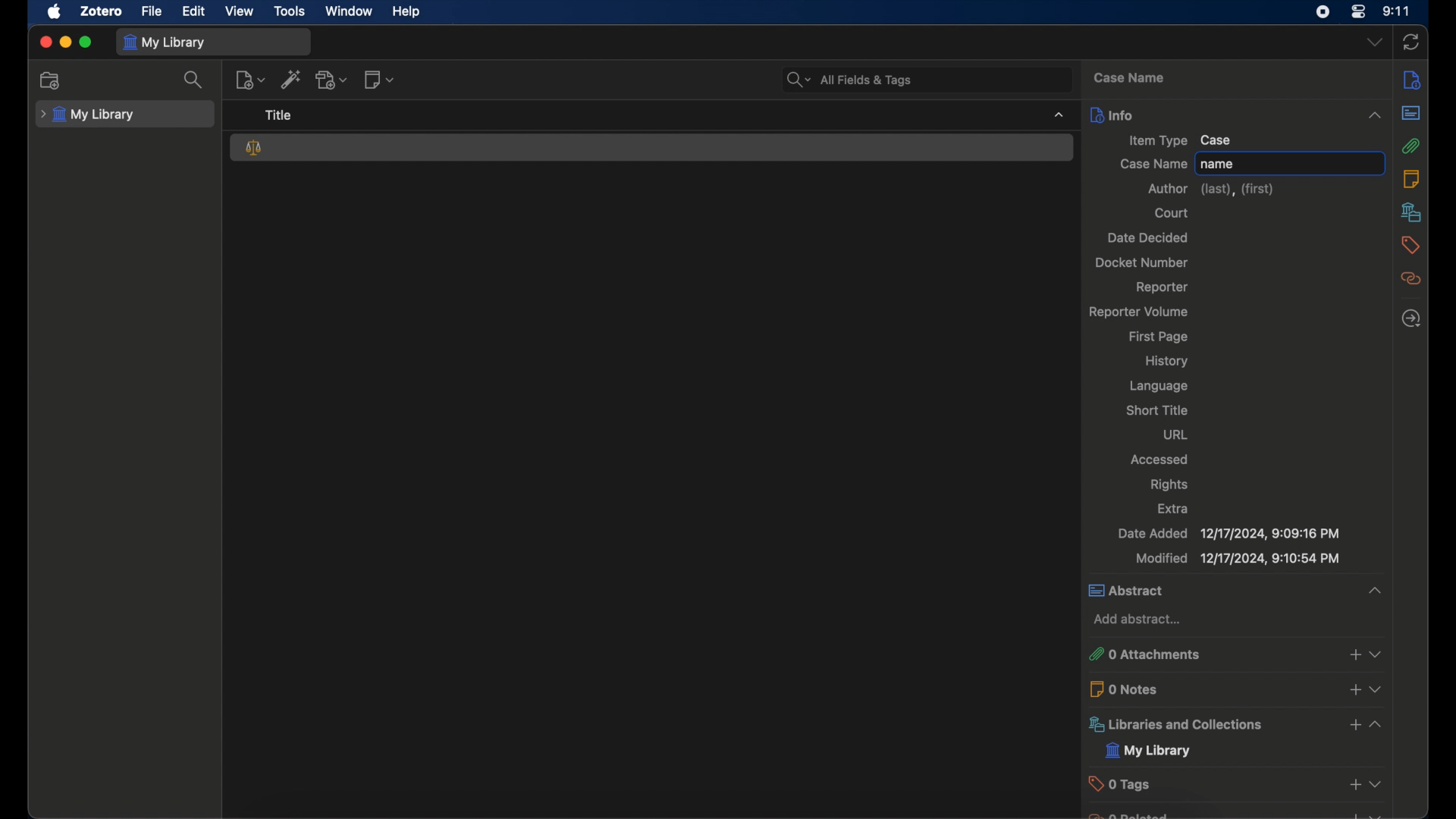 The height and width of the screenshot is (819, 1456). What do you see at coordinates (1237, 810) in the screenshot?
I see `obscure text` at bounding box center [1237, 810].